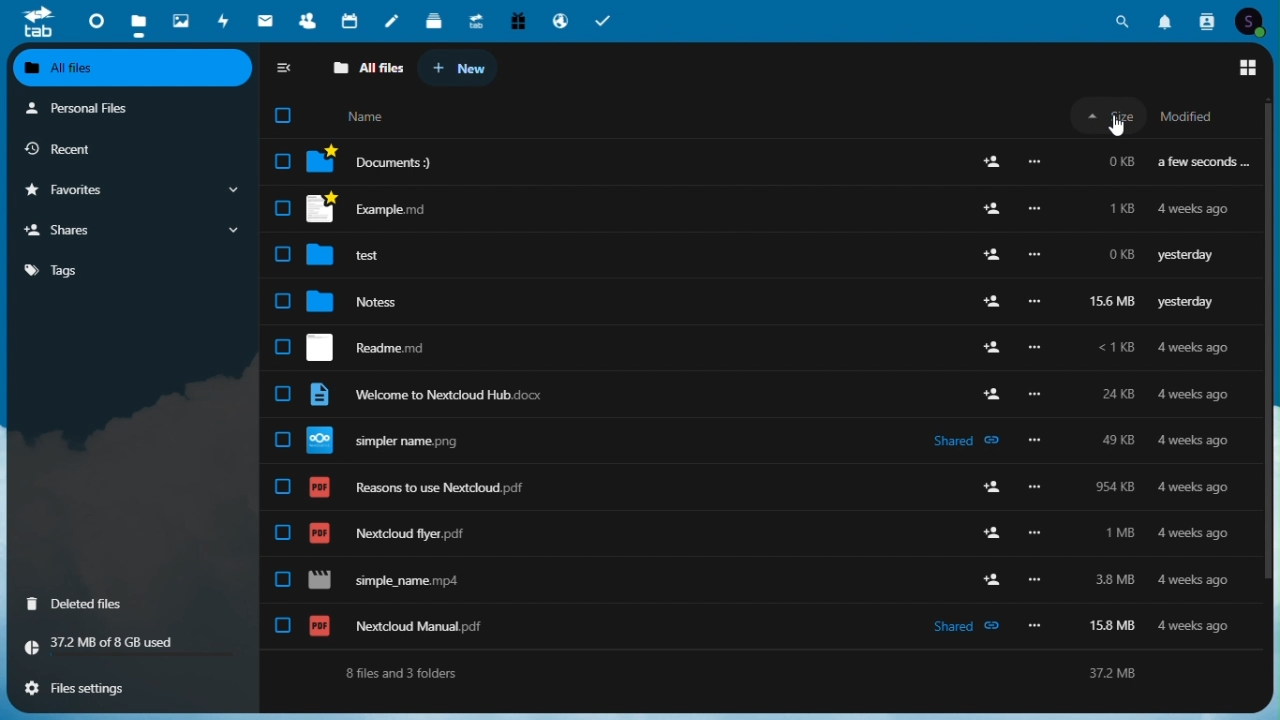 This screenshot has width=1280, height=720. Describe the element at coordinates (91, 20) in the screenshot. I see `dashboard` at that location.